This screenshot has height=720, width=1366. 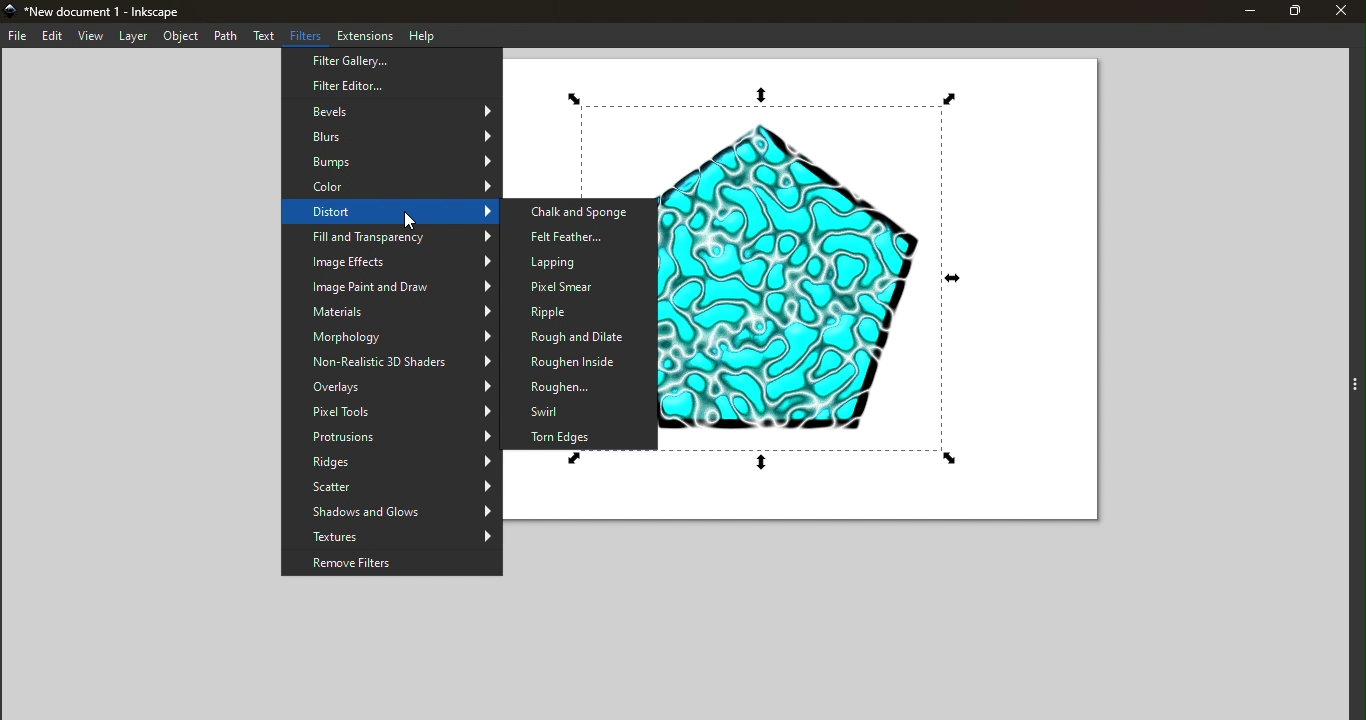 I want to click on Remove Filters, so click(x=393, y=565).